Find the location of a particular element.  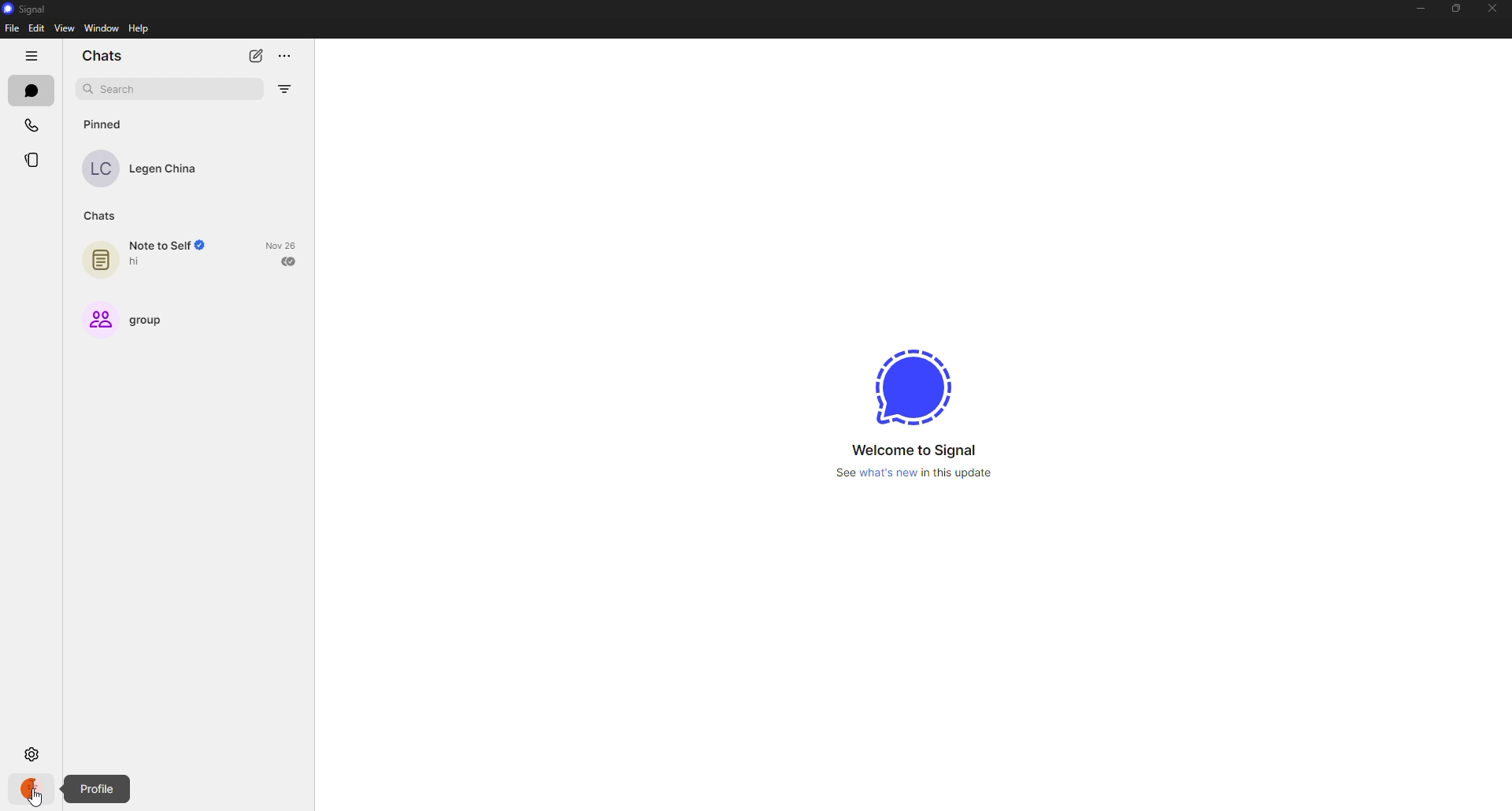

note to self is located at coordinates (150, 254).